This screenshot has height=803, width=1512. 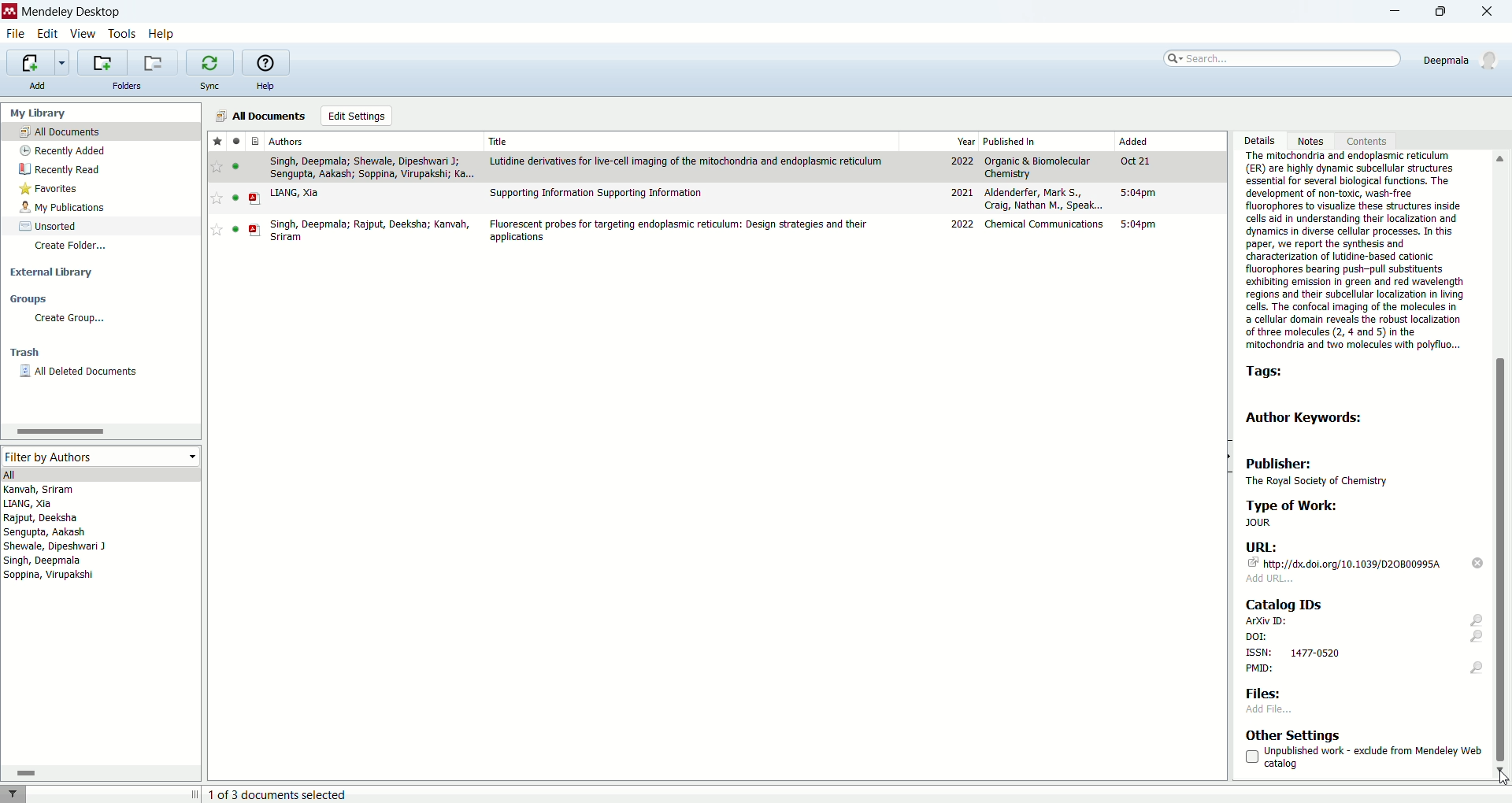 What do you see at coordinates (13, 794) in the screenshot?
I see `filter` at bounding box center [13, 794].